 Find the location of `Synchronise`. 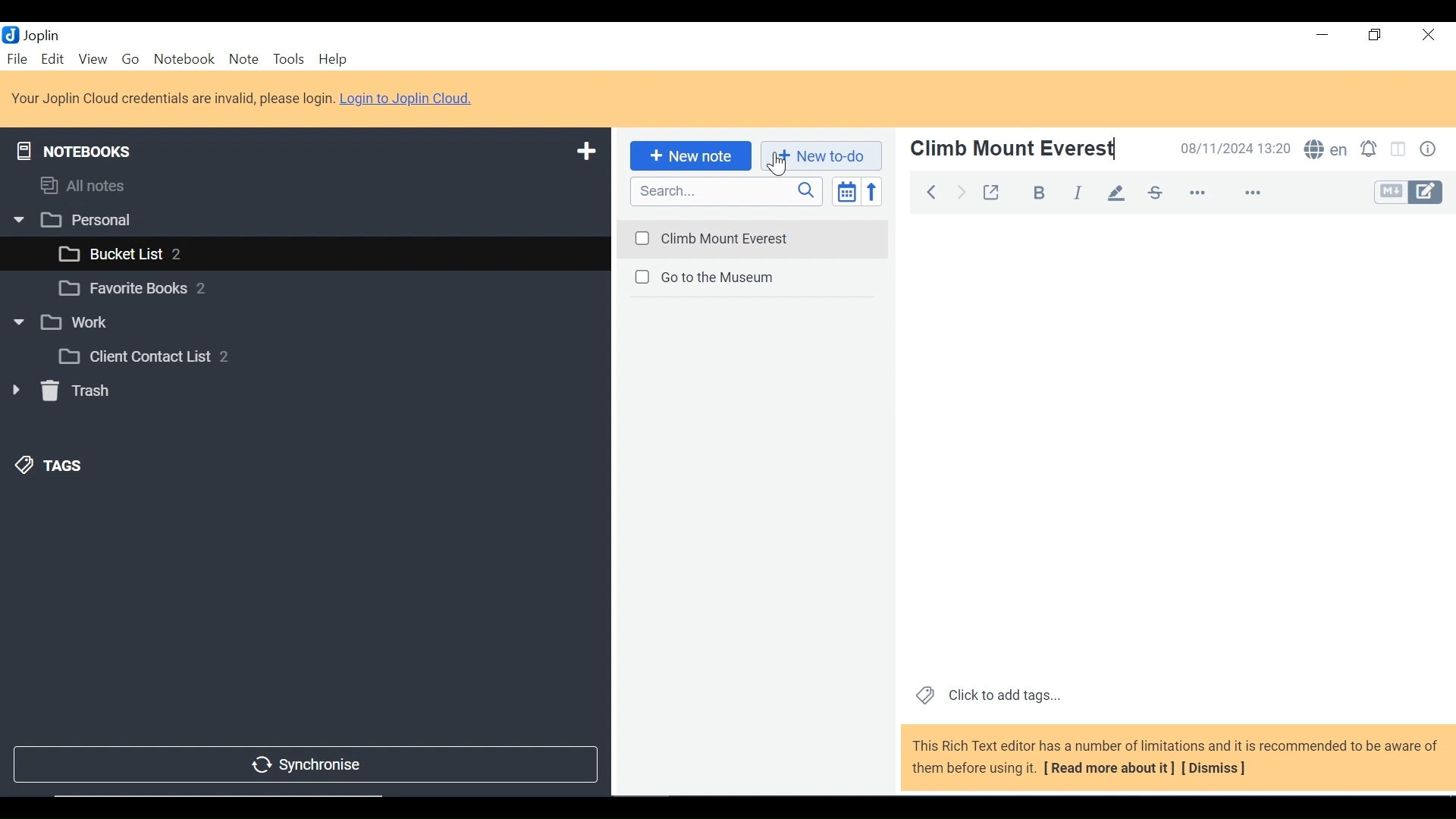

Synchronise is located at coordinates (303, 766).